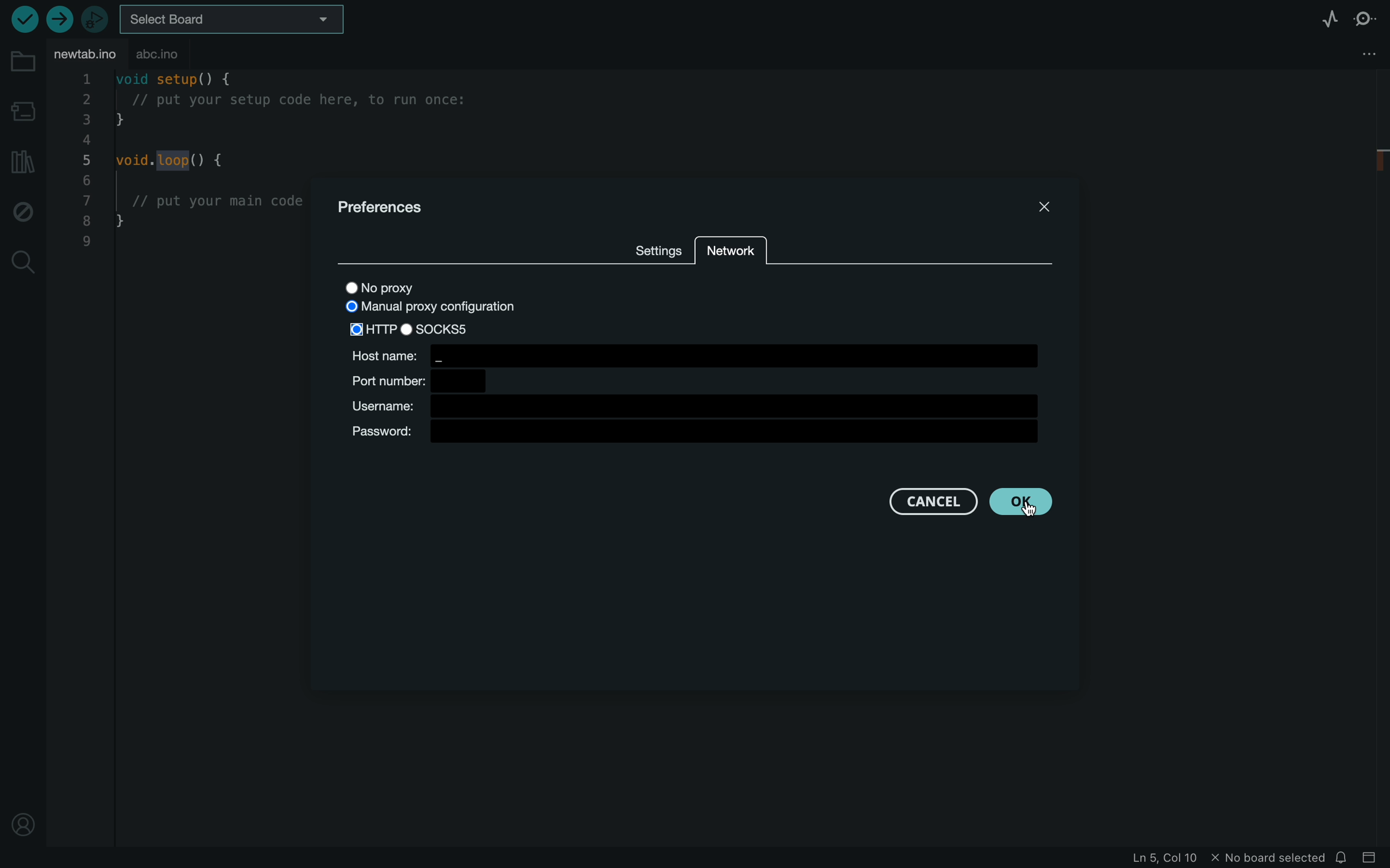 This screenshot has height=868, width=1390. I want to click on file information, so click(1171, 858).